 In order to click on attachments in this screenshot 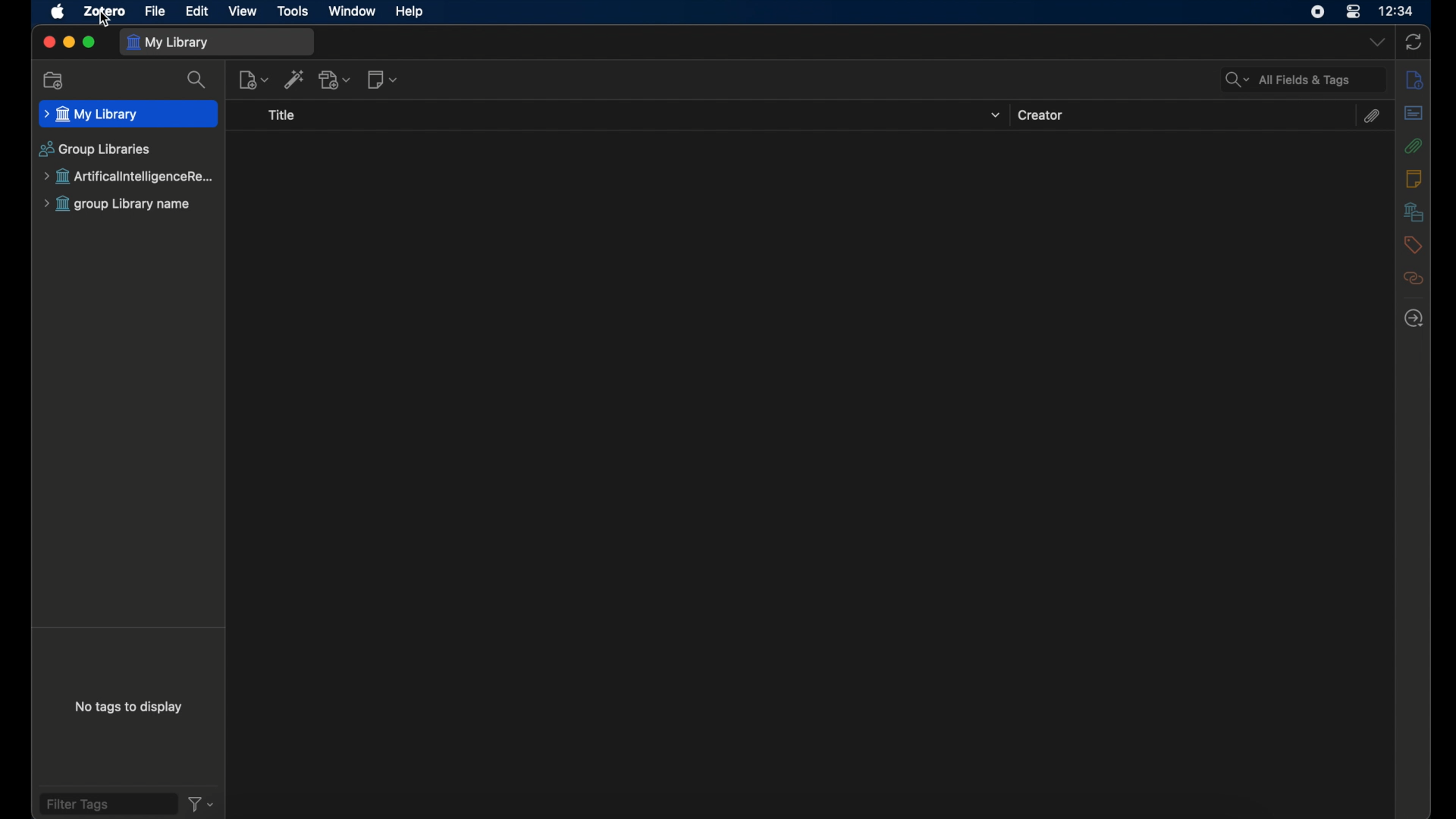, I will do `click(1373, 116)`.